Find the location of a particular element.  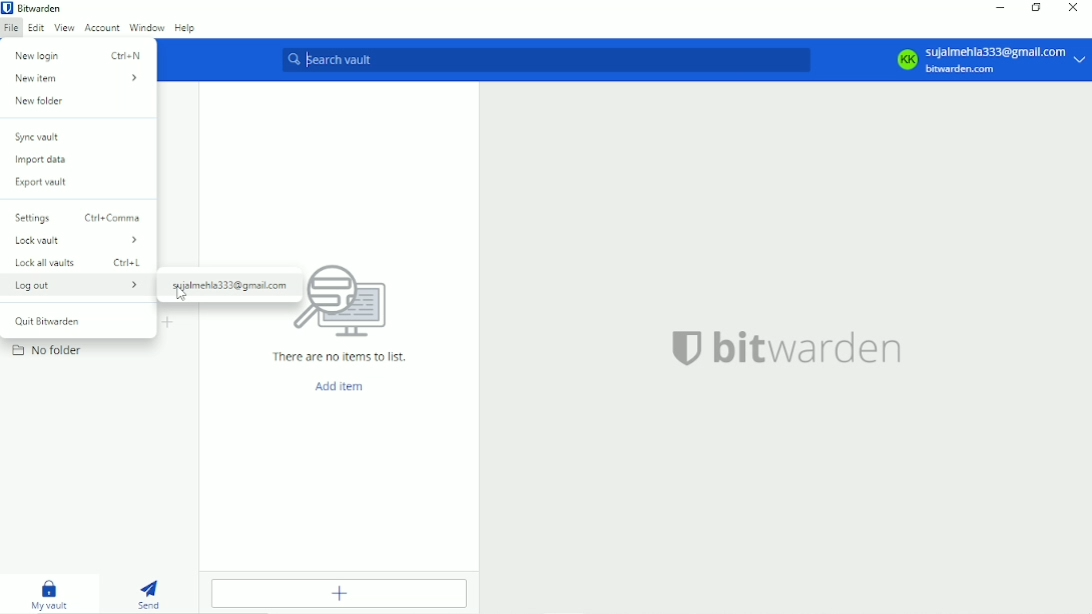

New folder is located at coordinates (40, 101).